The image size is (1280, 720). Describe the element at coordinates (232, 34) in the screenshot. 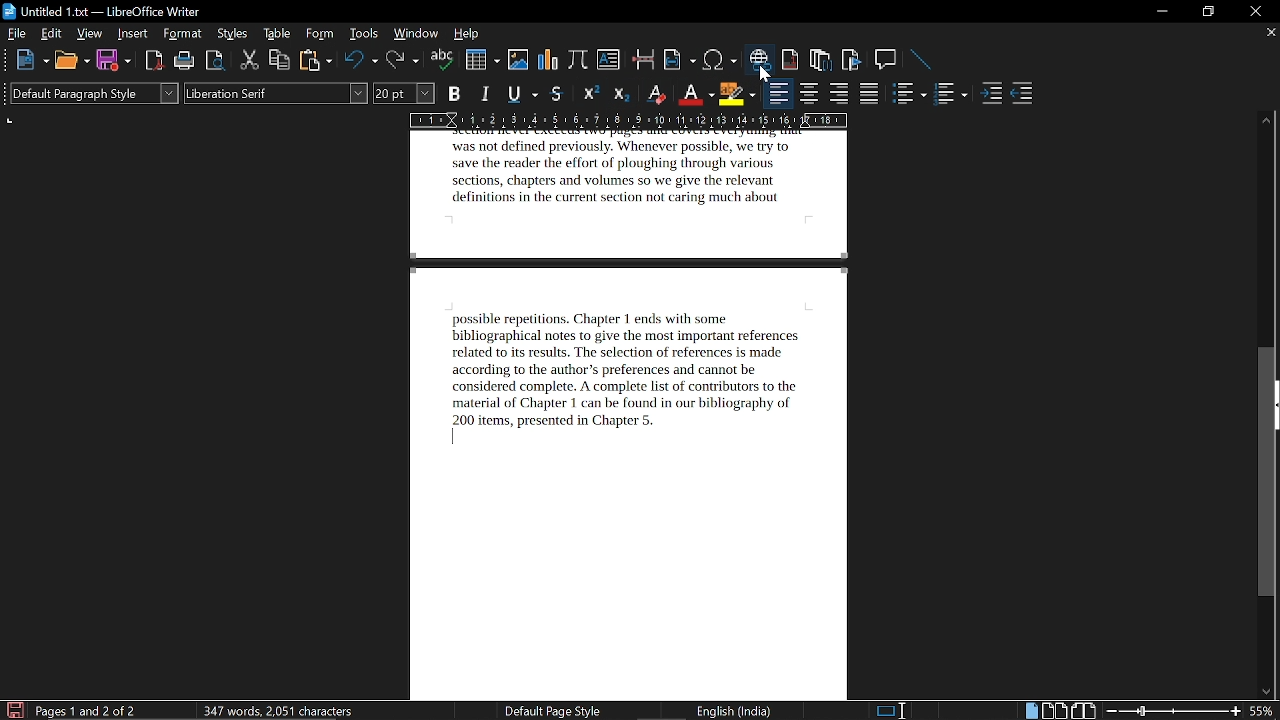

I see `styles` at that location.